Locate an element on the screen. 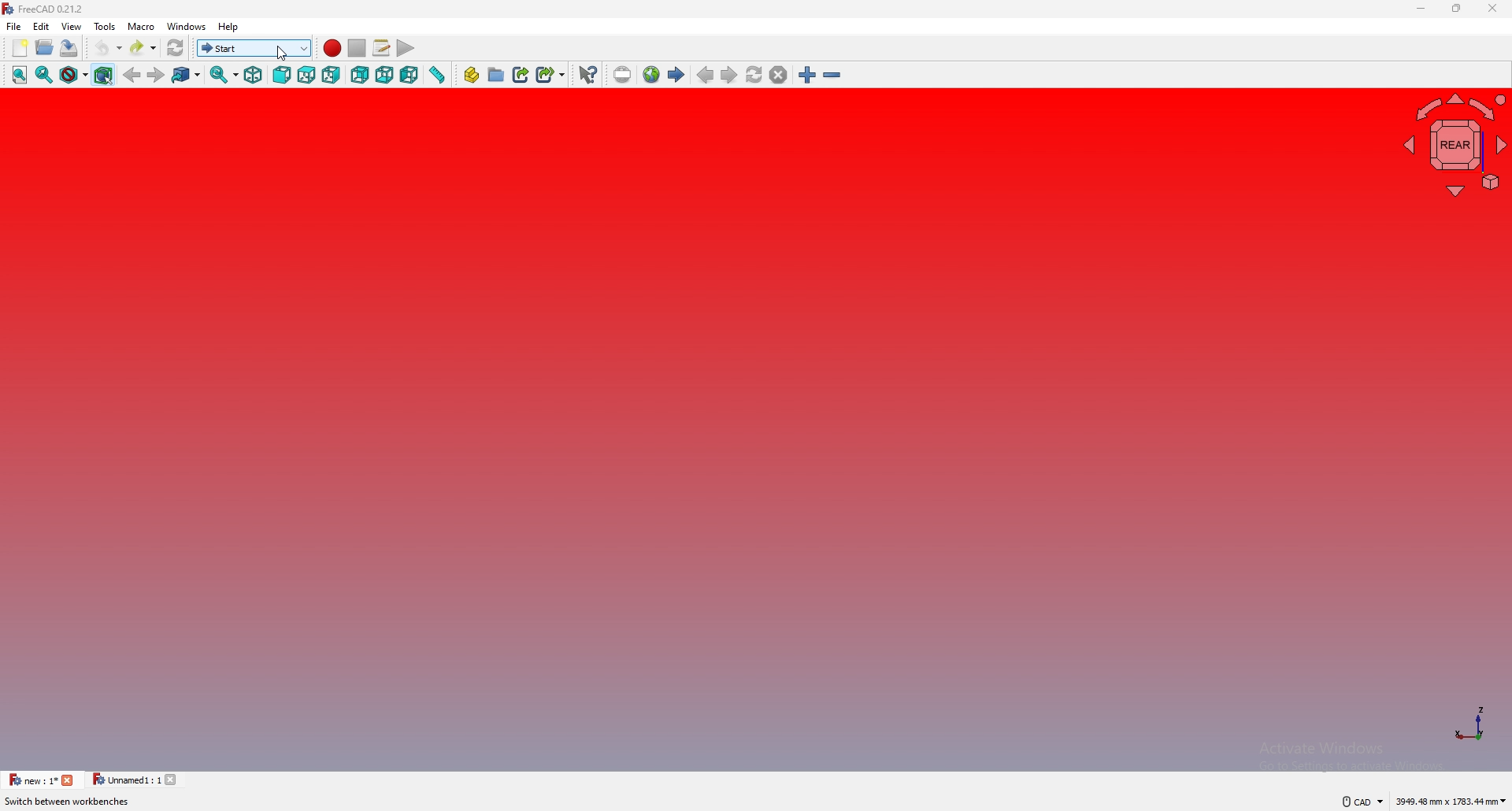 This screenshot has height=811, width=1512. Unnamed1 : 1 is located at coordinates (125, 780).